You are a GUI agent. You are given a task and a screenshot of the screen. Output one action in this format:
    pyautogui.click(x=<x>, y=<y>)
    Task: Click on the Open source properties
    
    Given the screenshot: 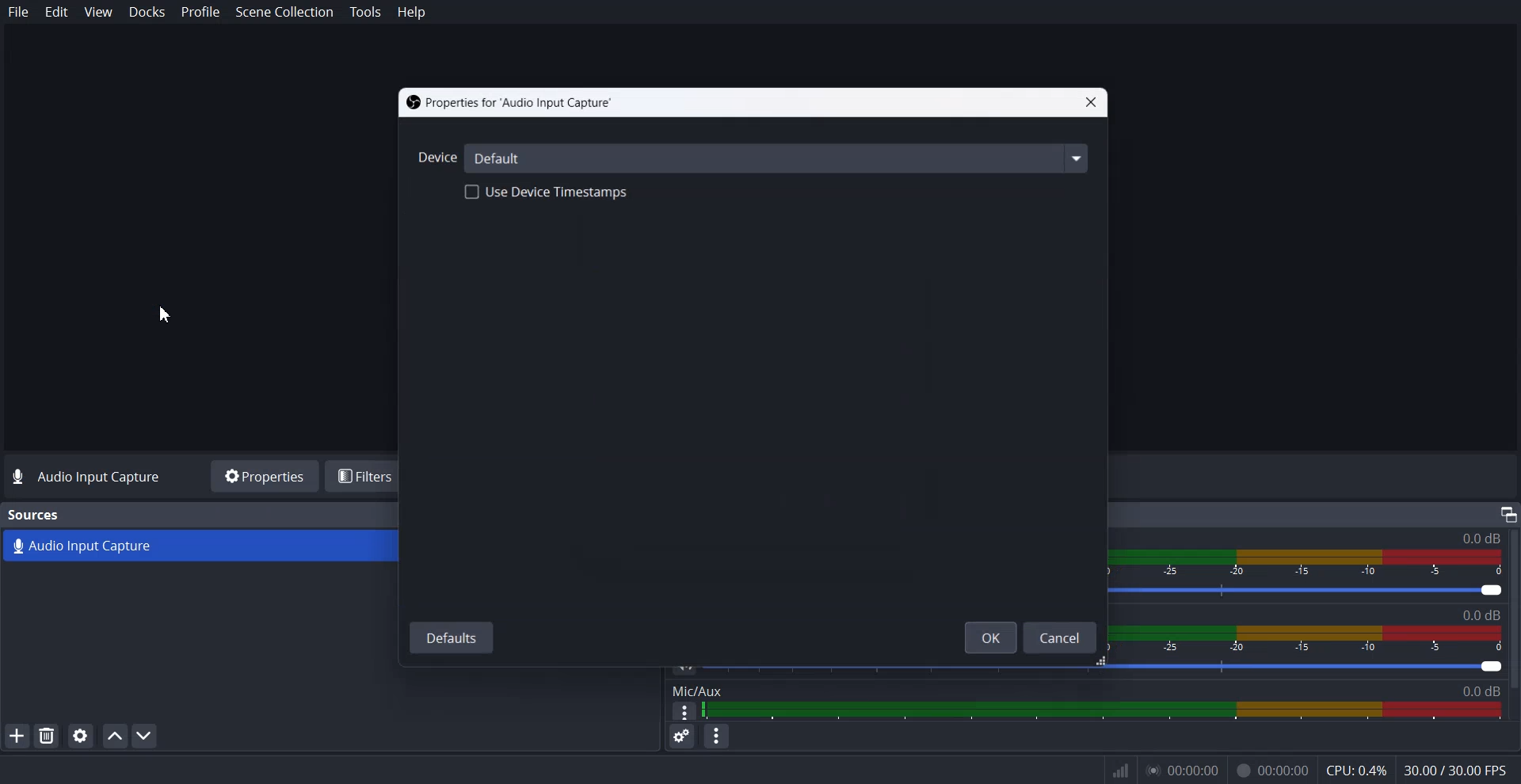 What is the action you would take?
    pyautogui.click(x=79, y=736)
    